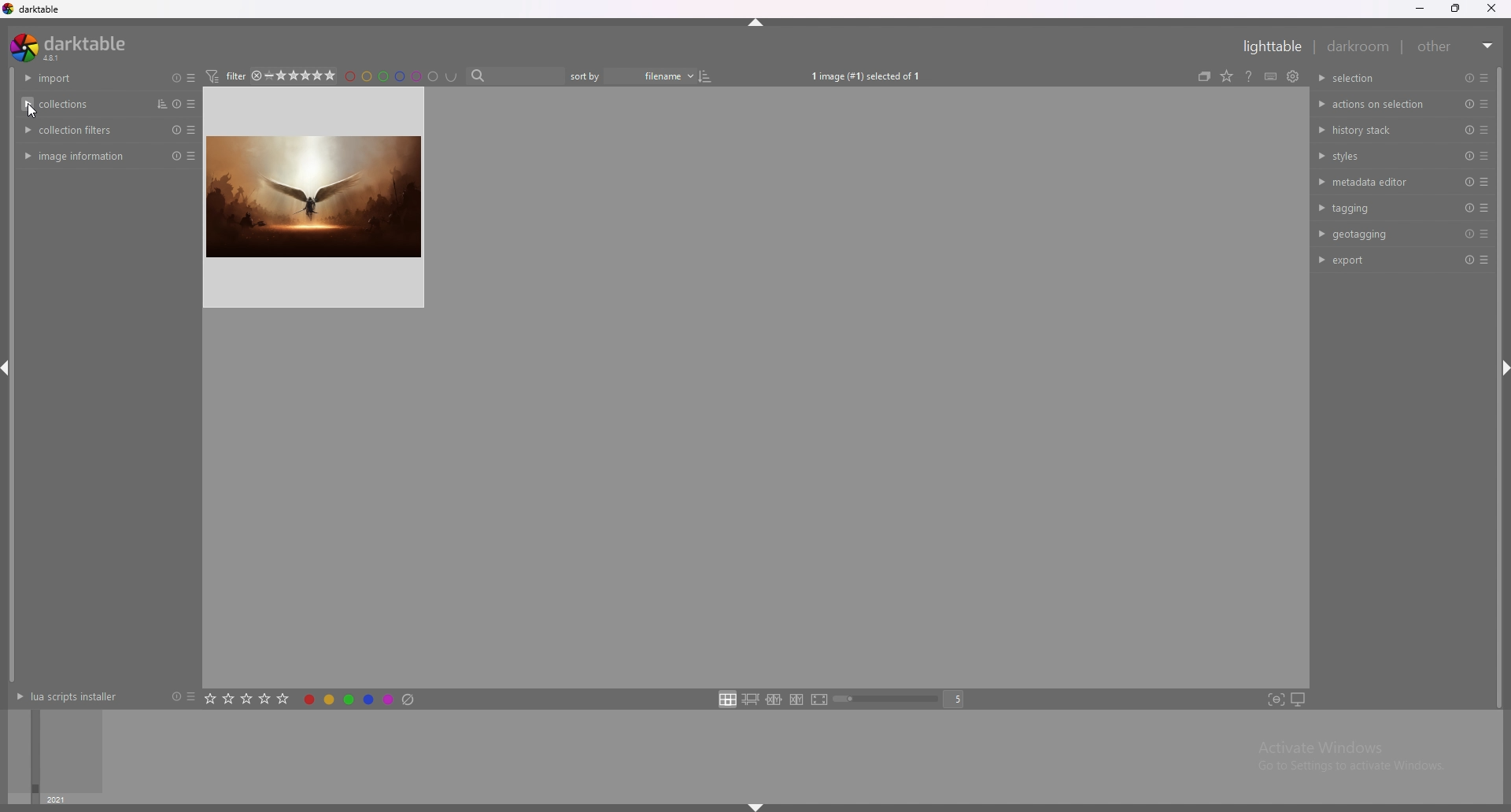 This screenshot has width=1511, height=812. I want to click on reset, so click(173, 697).